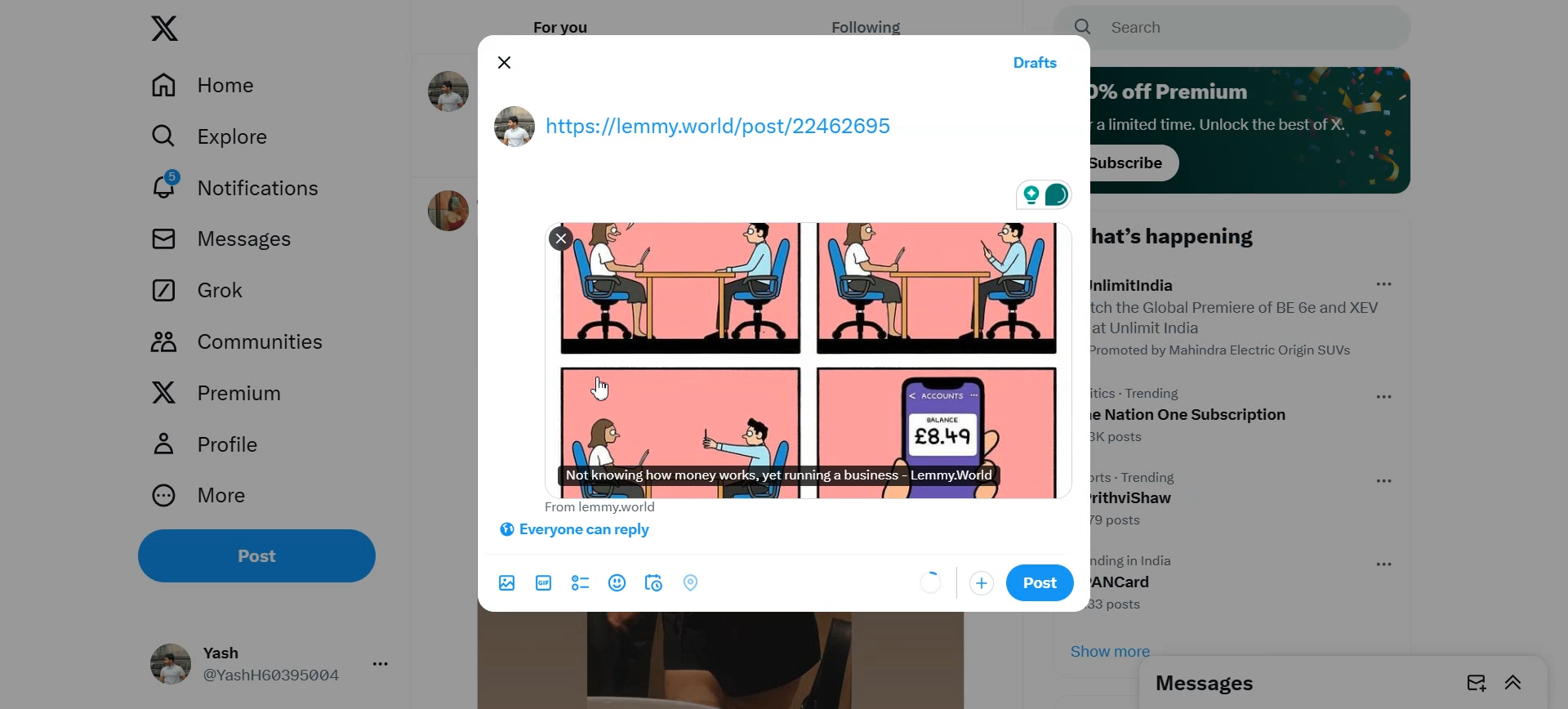 Image resolution: width=1568 pixels, height=709 pixels. What do you see at coordinates (542, 582) in the screenshot?
I see `GIF` at bounding box center [542, 582].